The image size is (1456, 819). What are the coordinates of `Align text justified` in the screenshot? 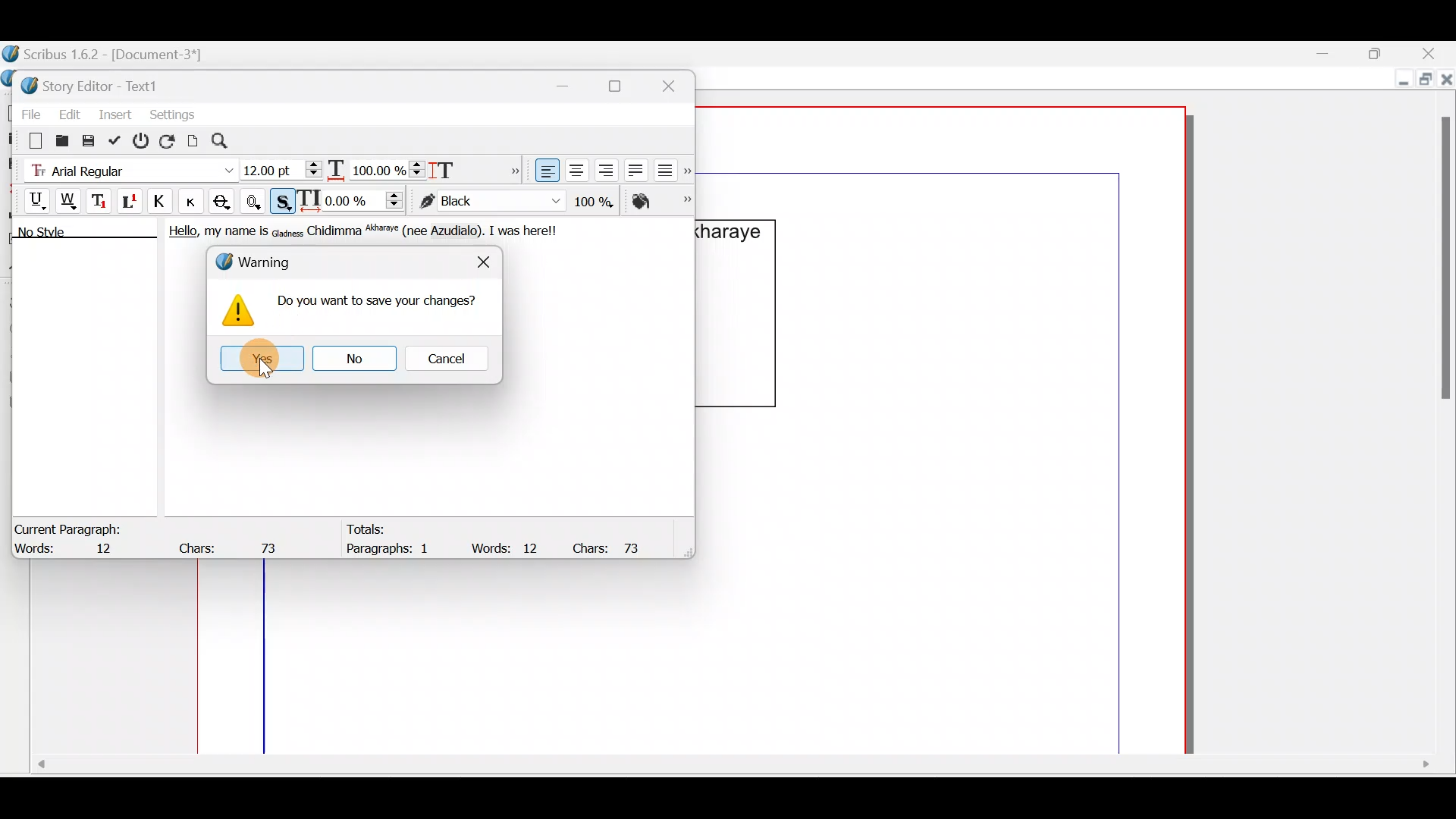 It's located at (634, 168).